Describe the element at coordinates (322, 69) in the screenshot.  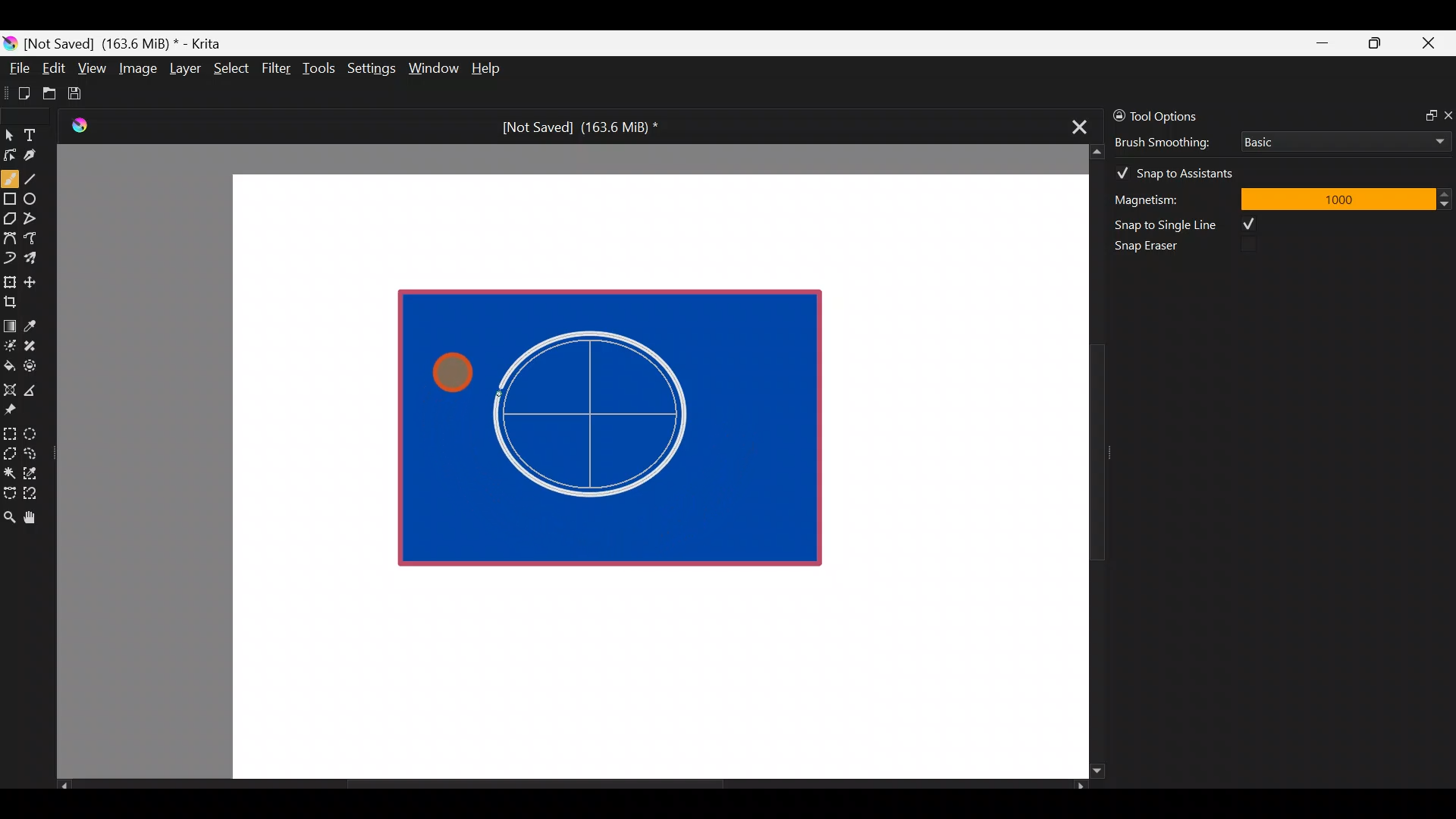
I see `Tools` at that location.